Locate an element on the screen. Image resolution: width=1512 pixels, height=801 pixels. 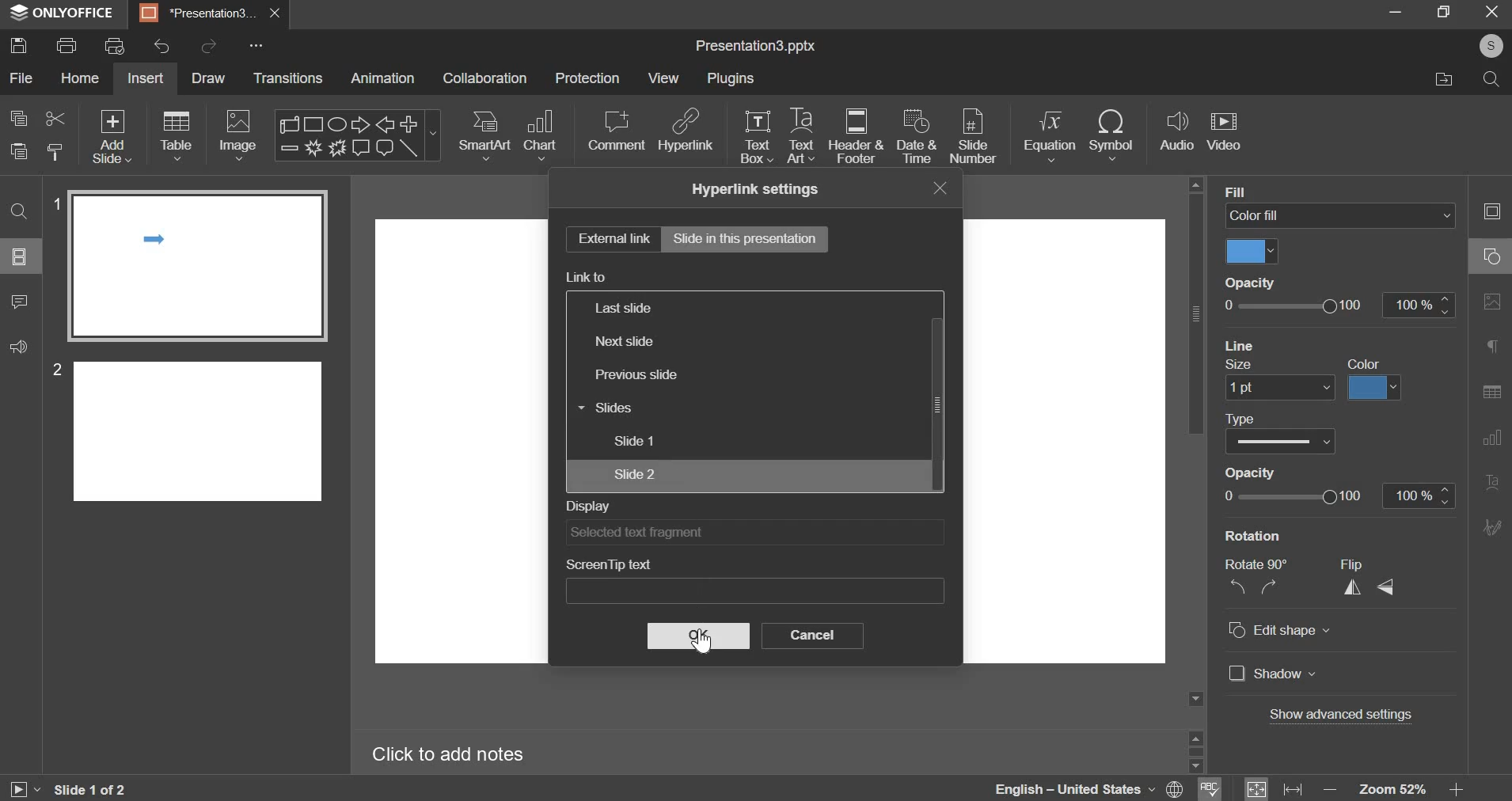
line is located at coordinates (1240, 344).